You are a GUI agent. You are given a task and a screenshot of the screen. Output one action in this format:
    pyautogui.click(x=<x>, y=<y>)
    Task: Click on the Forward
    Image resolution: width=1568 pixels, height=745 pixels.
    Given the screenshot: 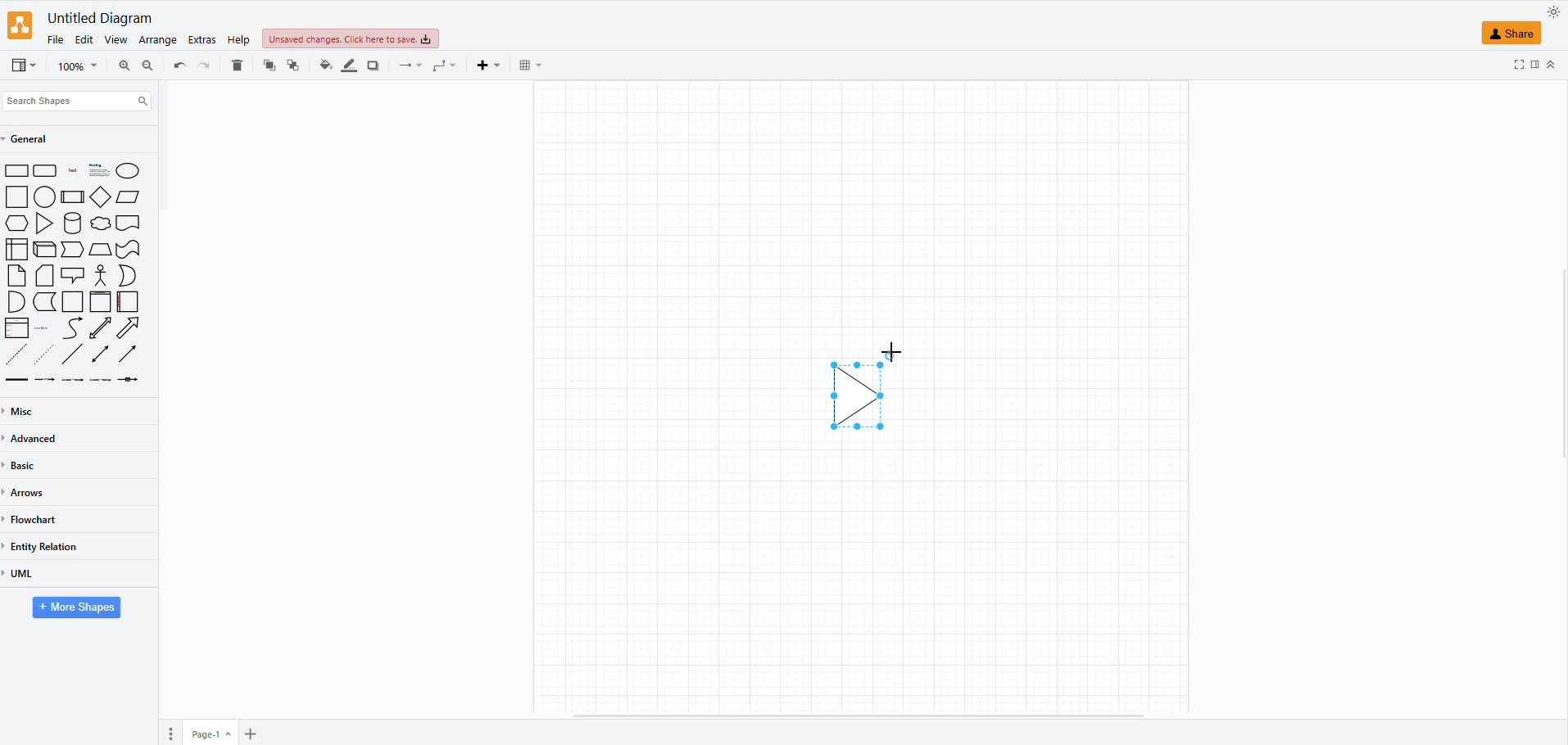 What is the action you would take?
    pyautogui.click(x=73, y=249)
    